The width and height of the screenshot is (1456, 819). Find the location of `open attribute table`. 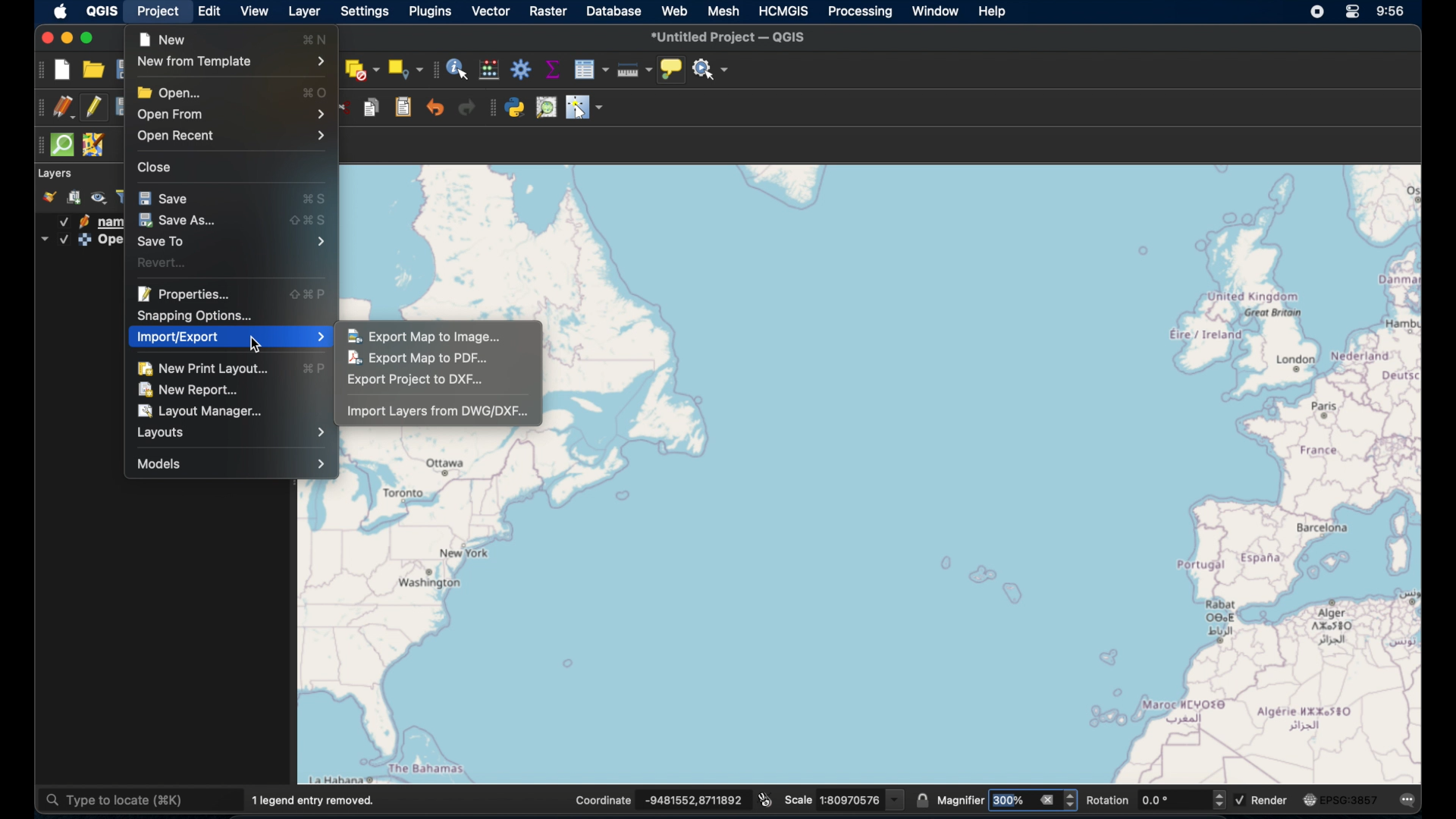

open attribute table is located at coordinates (591, 70).